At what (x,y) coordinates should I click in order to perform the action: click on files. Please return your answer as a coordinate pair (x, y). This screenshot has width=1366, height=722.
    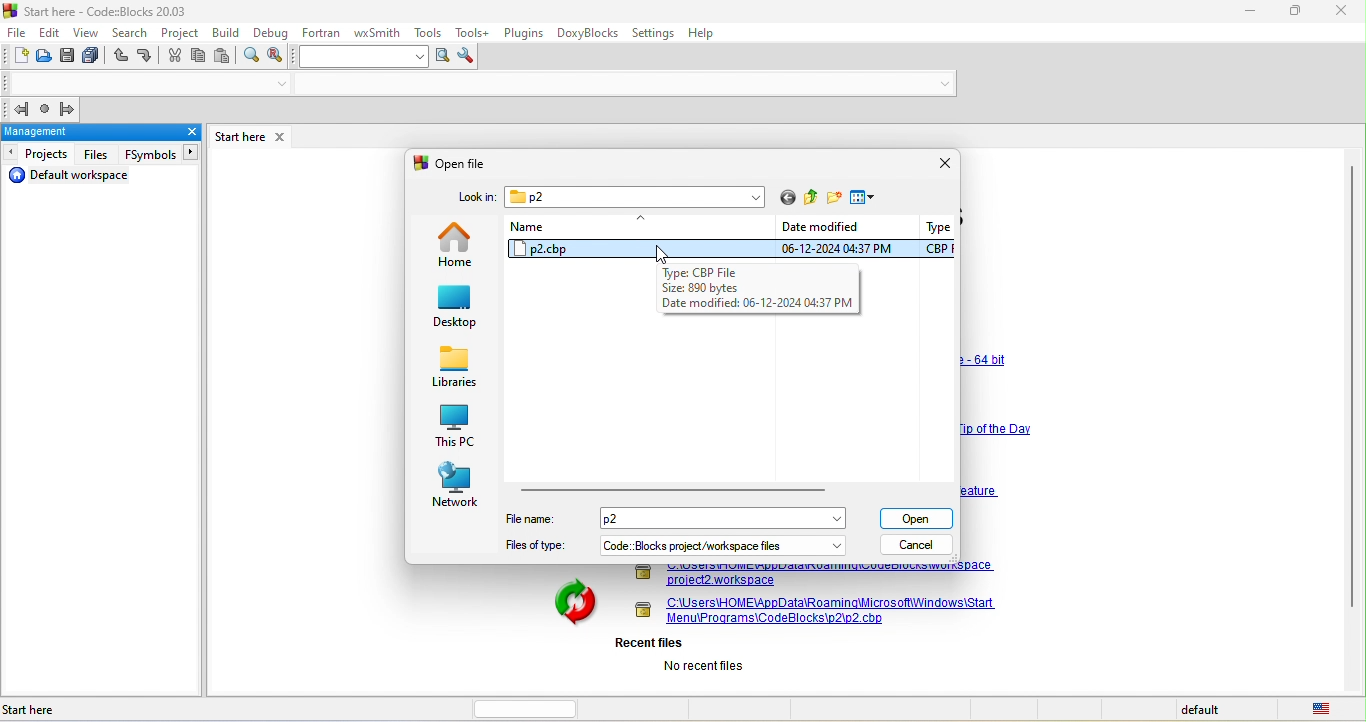
    Looking at the image, I should click on (100, 155).